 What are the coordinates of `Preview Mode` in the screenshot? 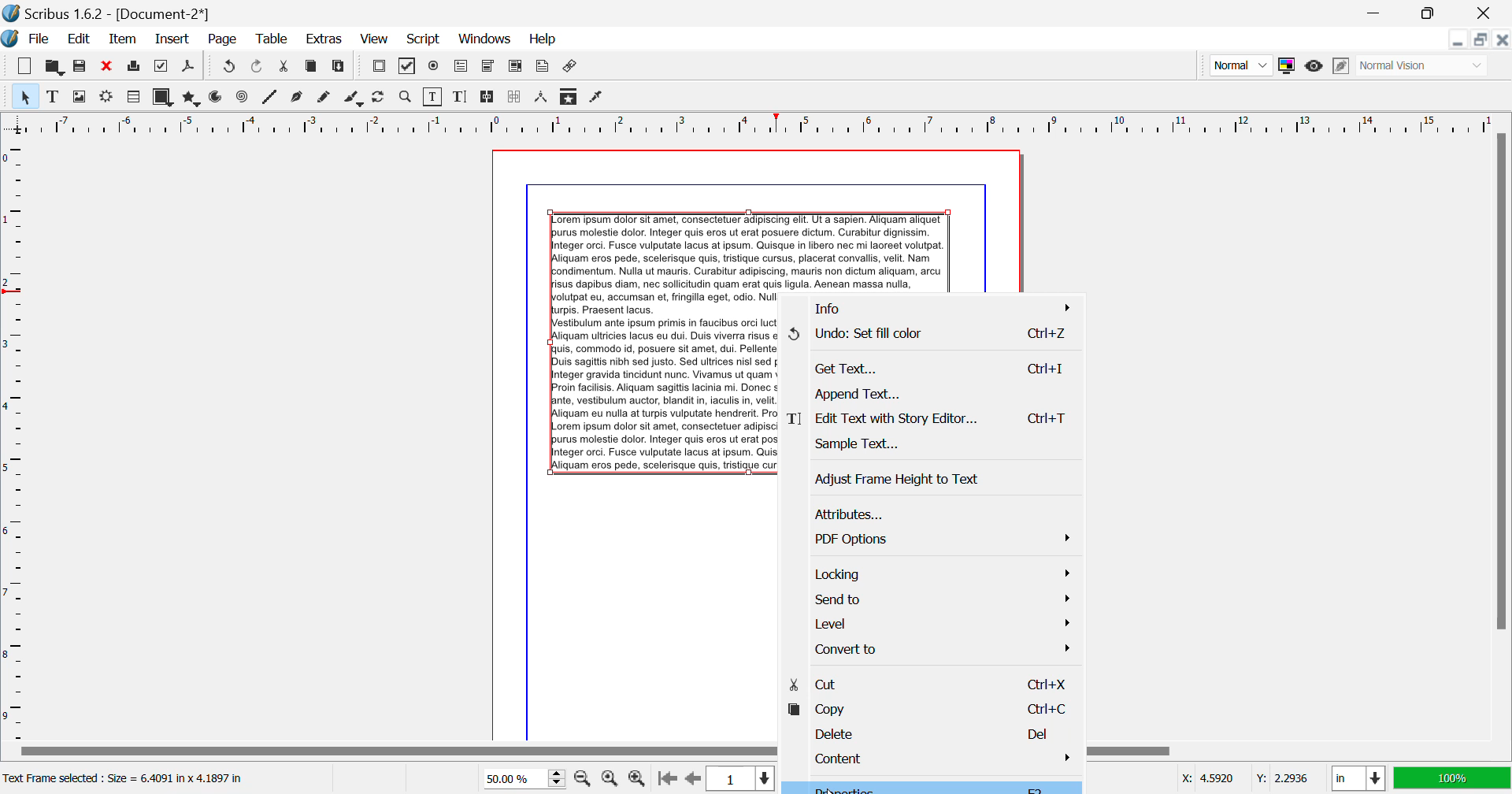 It's located at (1314, 68).